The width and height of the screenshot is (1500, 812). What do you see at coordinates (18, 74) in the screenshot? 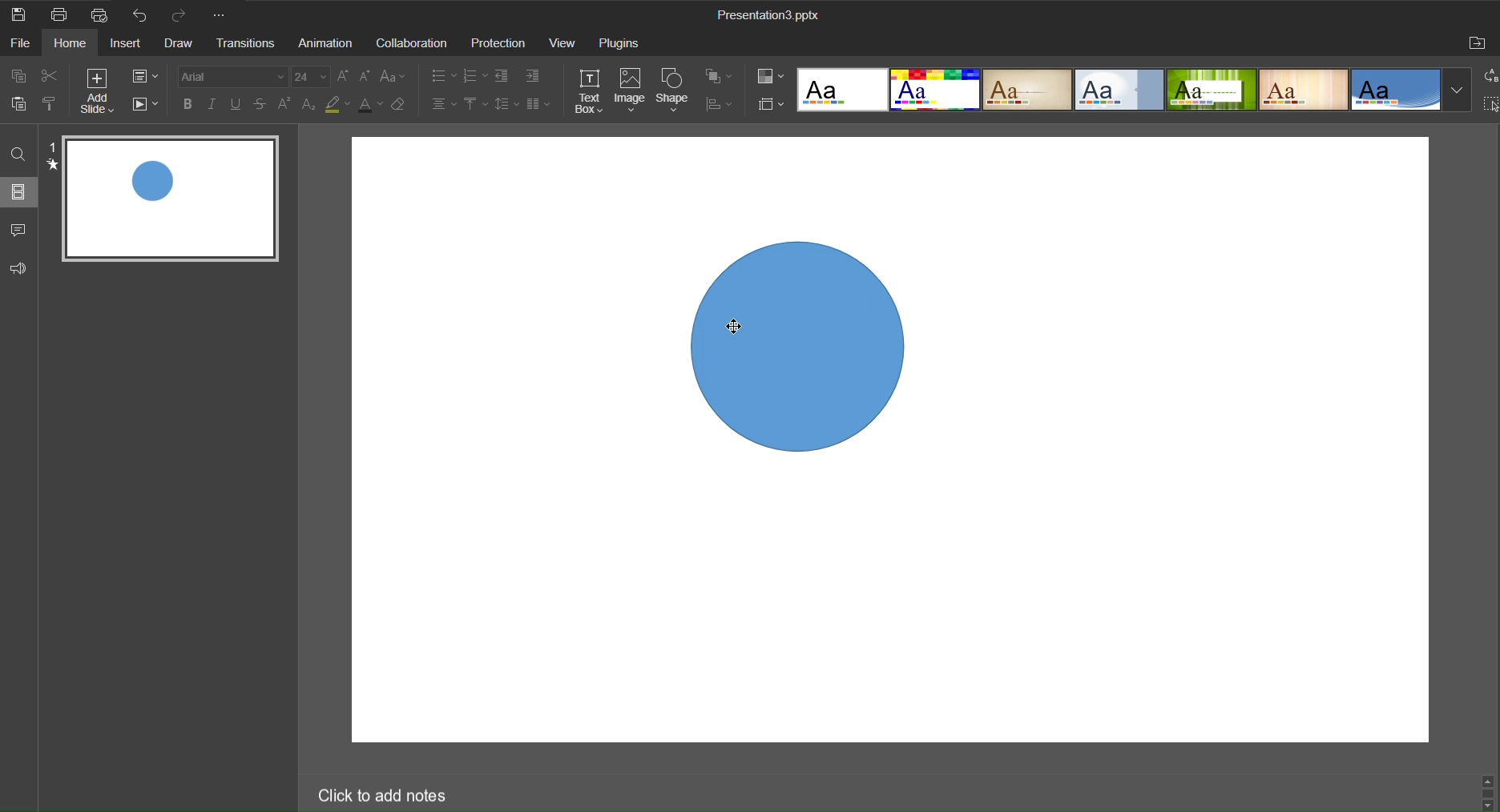
I see `Copy` at bounding box center [18, 74].